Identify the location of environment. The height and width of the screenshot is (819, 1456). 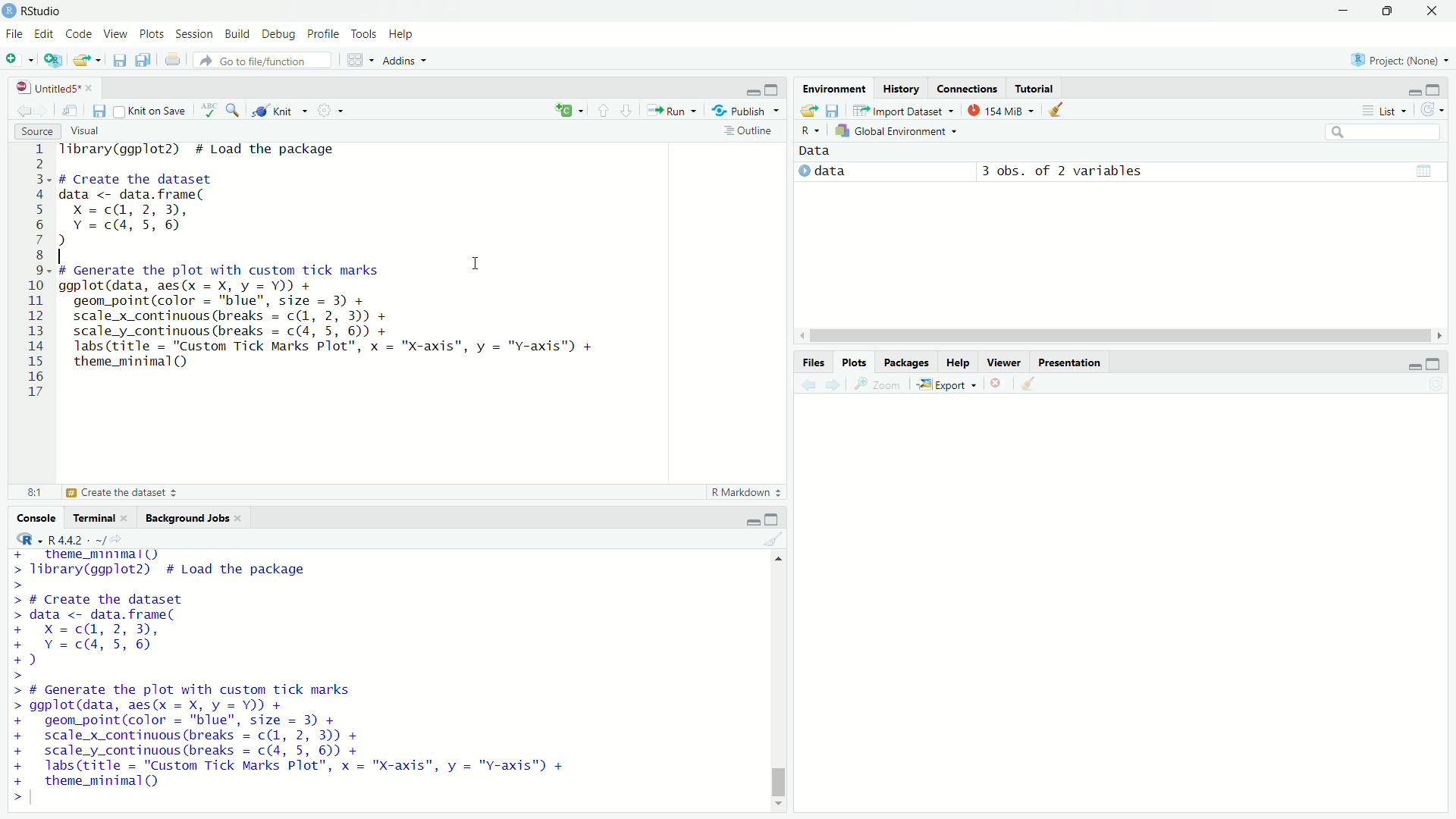
(835, 87).